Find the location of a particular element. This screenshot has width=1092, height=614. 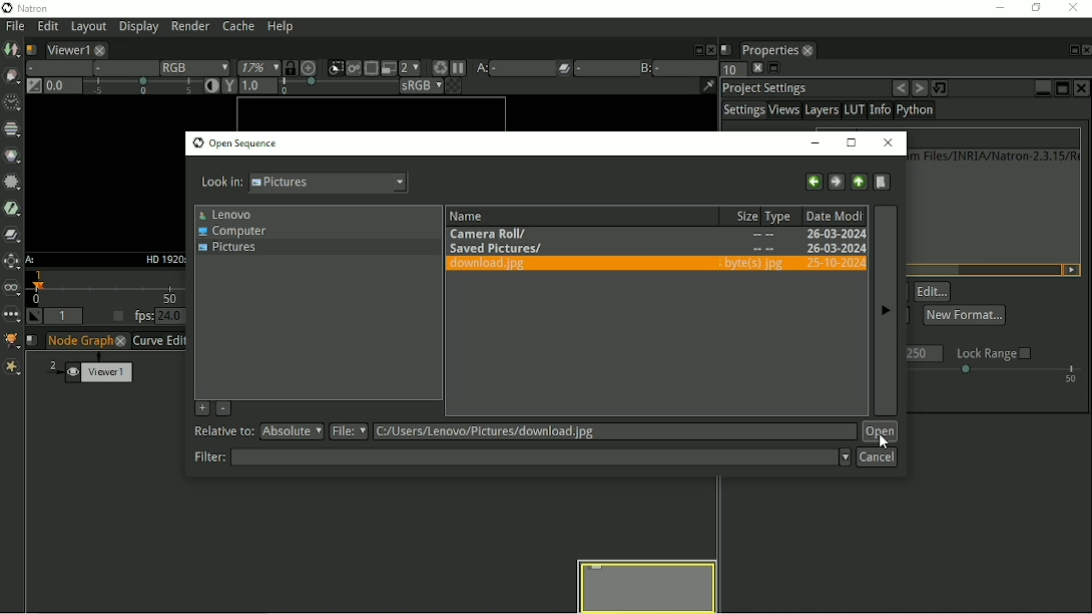

Views is located at coordinates (13, 288).